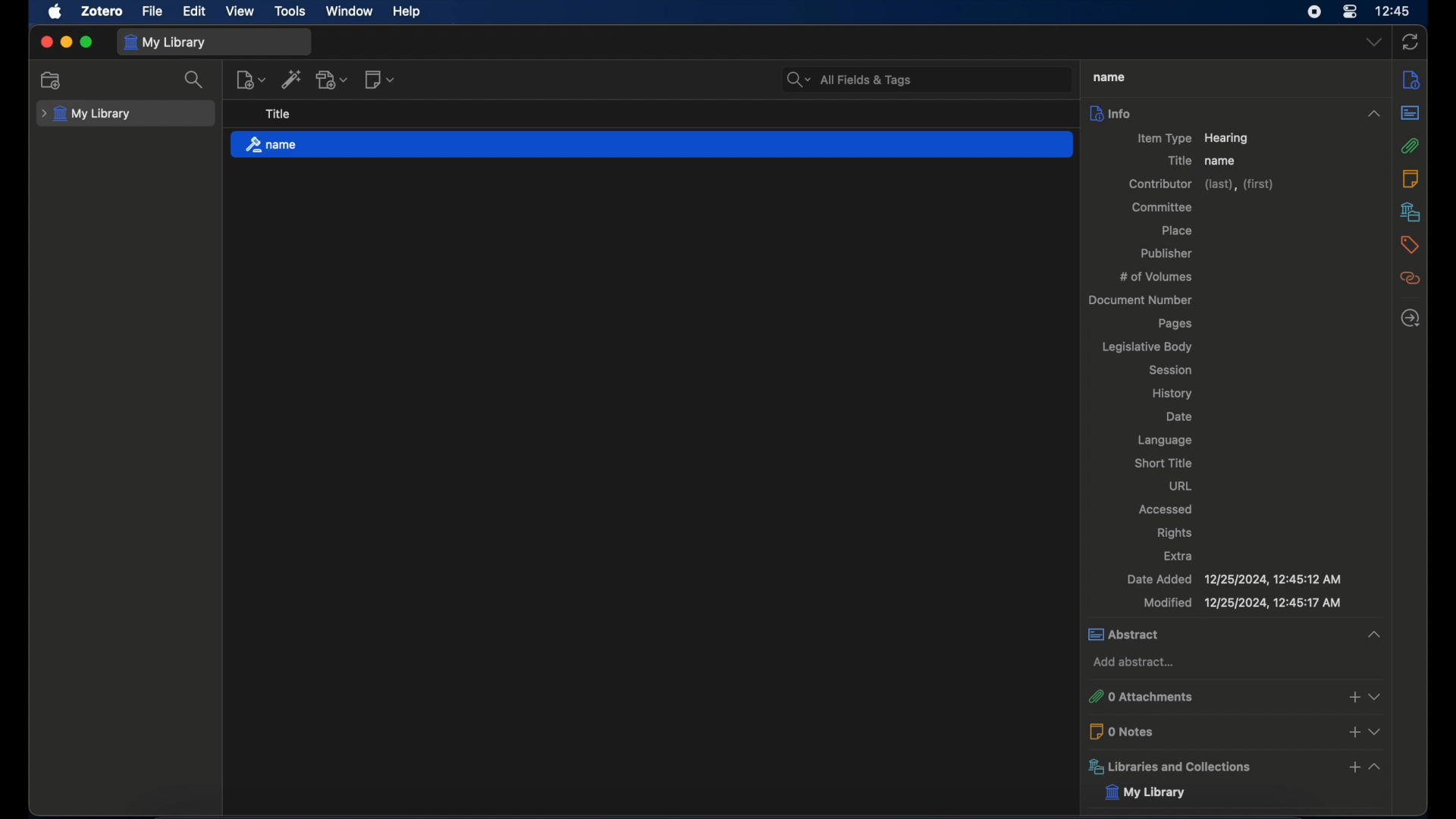 This screenshot has width=1456, height=819. Describe the element at coordinates (1174, 532) in the screenshot. I see `rights` at that location.